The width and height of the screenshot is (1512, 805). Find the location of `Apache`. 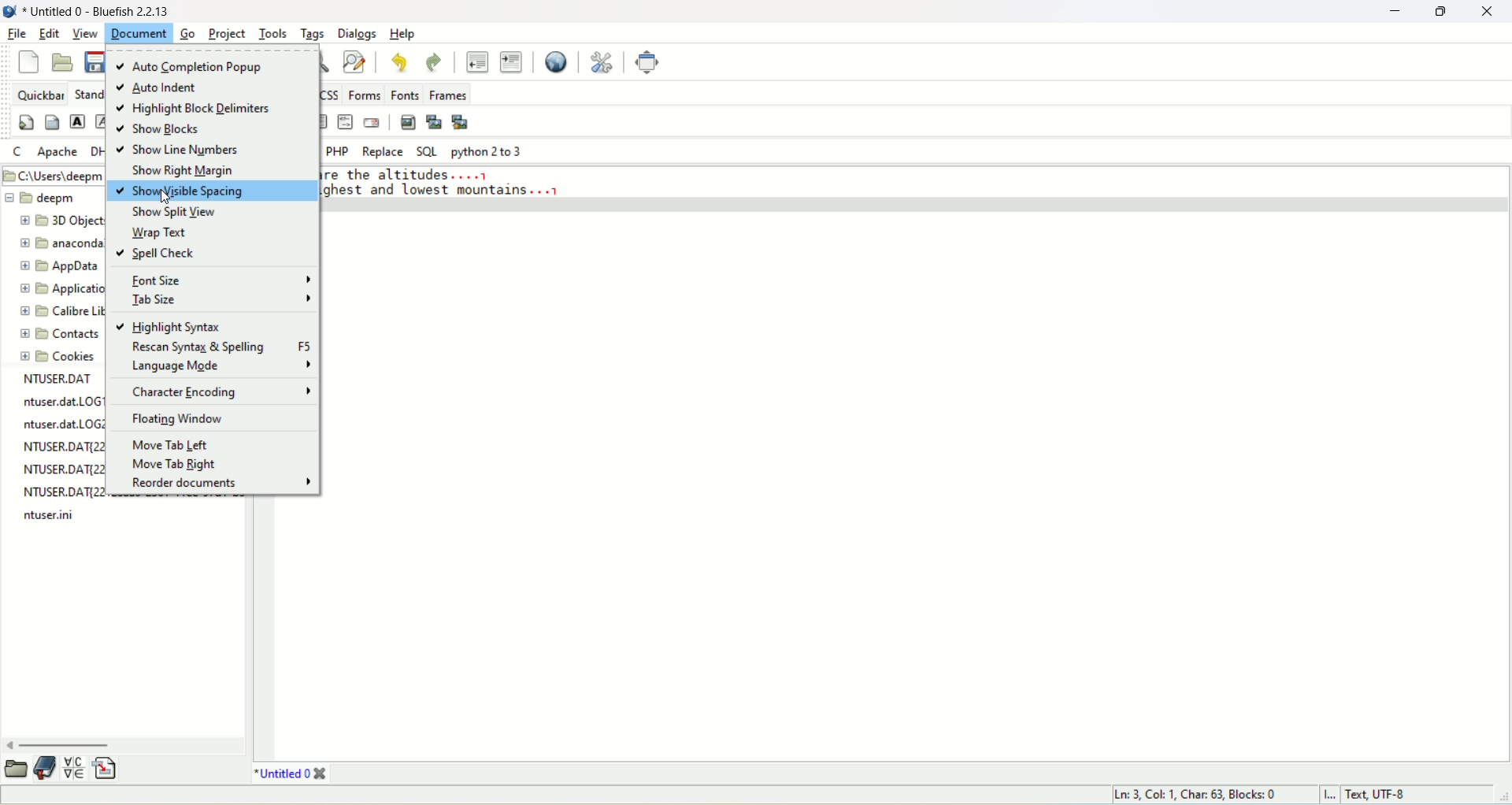

Apache is located at coordinates (57, 152).